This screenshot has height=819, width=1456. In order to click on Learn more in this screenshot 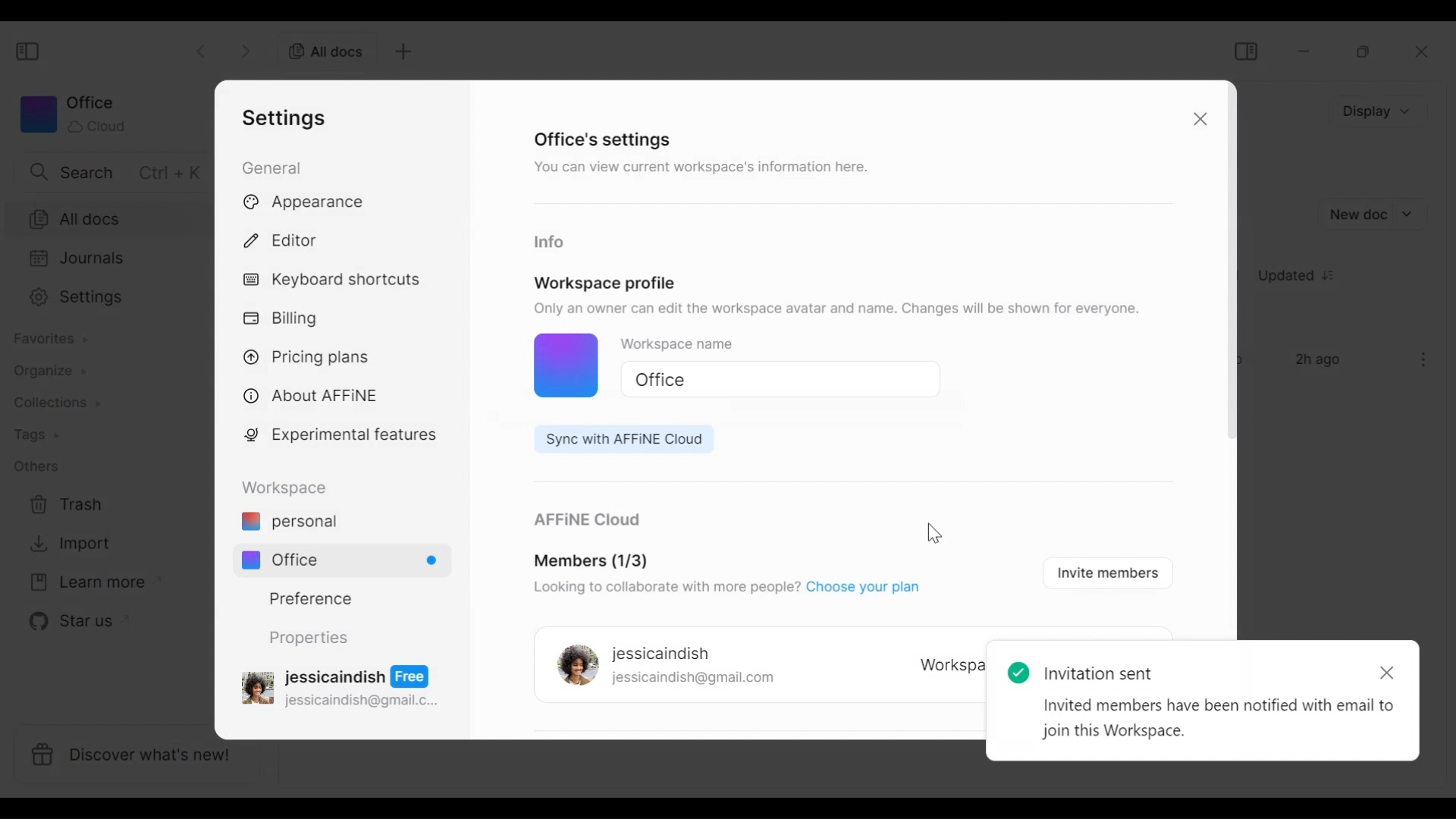, I will do `click(87, 583)`.